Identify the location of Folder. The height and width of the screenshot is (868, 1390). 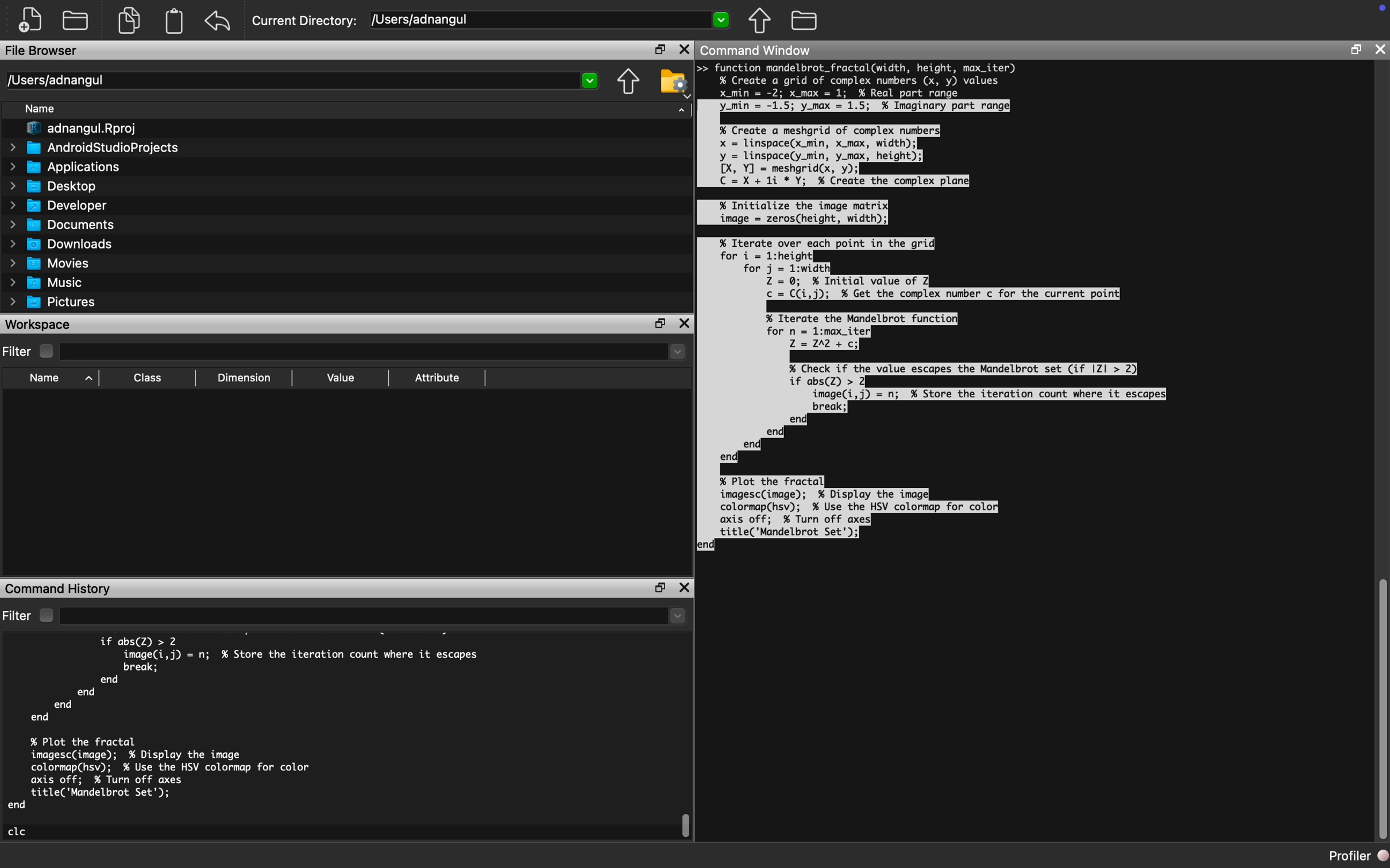
(804, 21).